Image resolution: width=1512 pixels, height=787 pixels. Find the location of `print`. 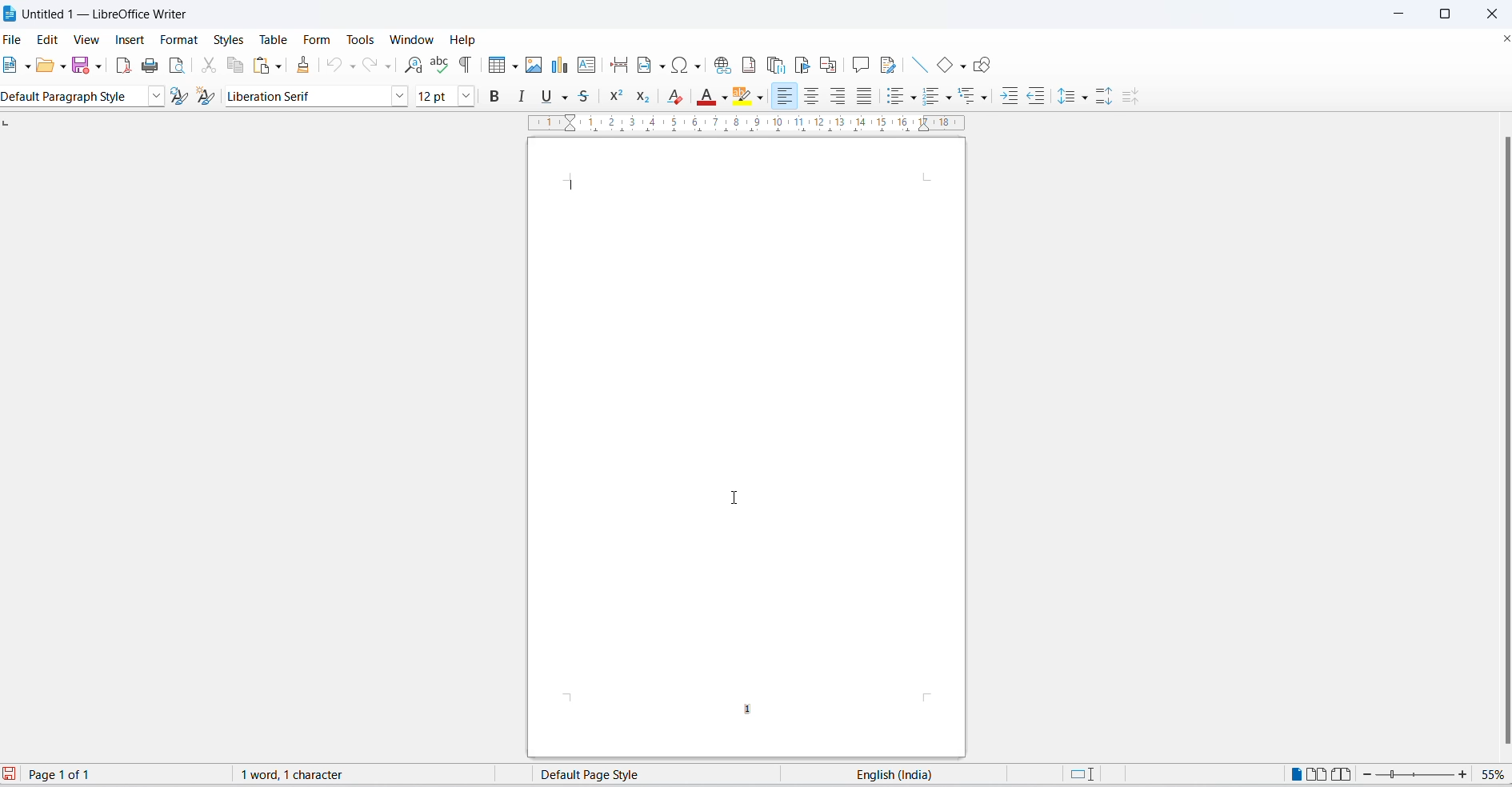

print is located at coordinates (152, 66).